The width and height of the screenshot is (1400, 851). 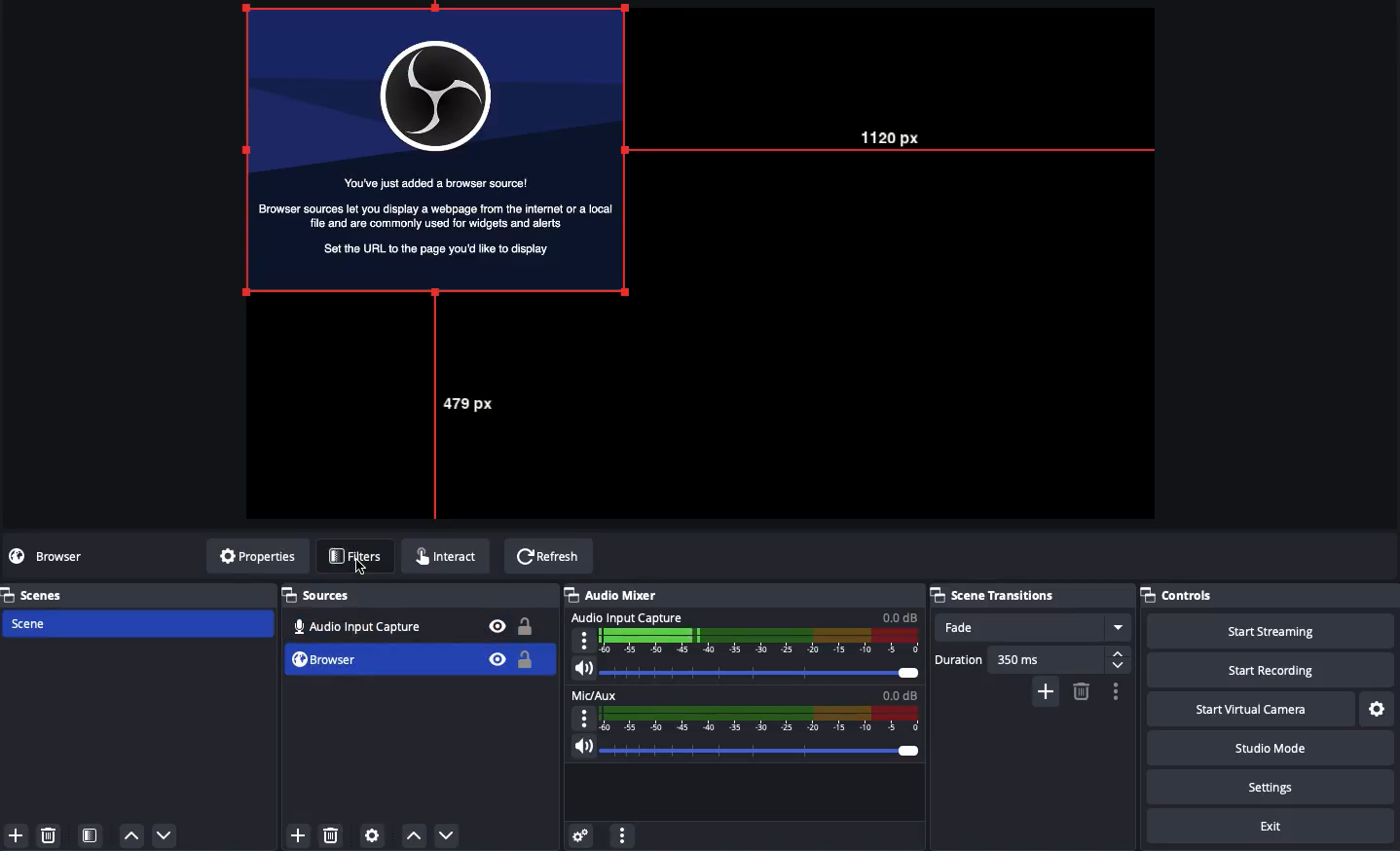 What do you see at coordinates (50, 836) in the screenshot?
I see `Delete` at bounding box center [50, 836].